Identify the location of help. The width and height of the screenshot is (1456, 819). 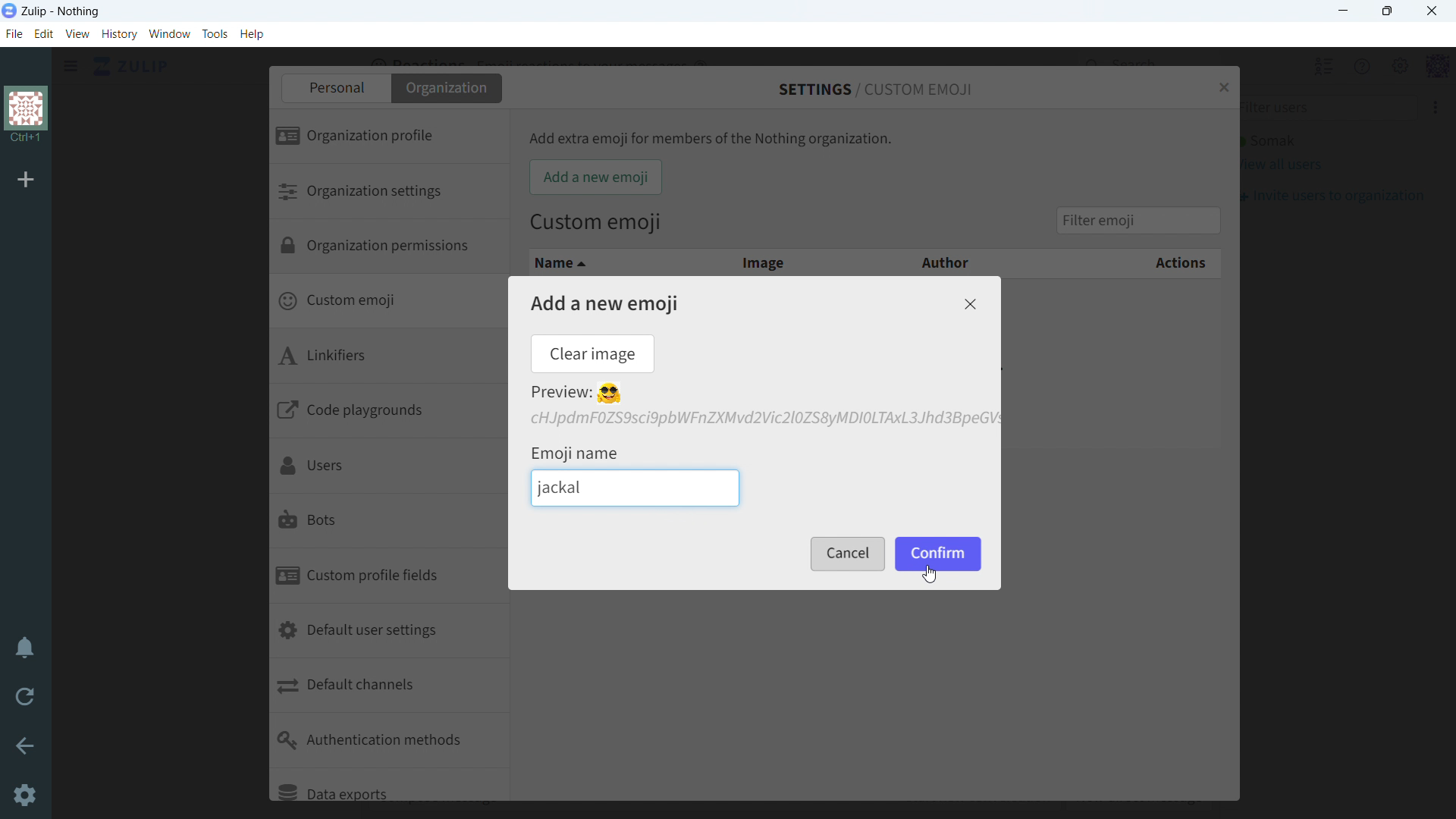
(252, 34).